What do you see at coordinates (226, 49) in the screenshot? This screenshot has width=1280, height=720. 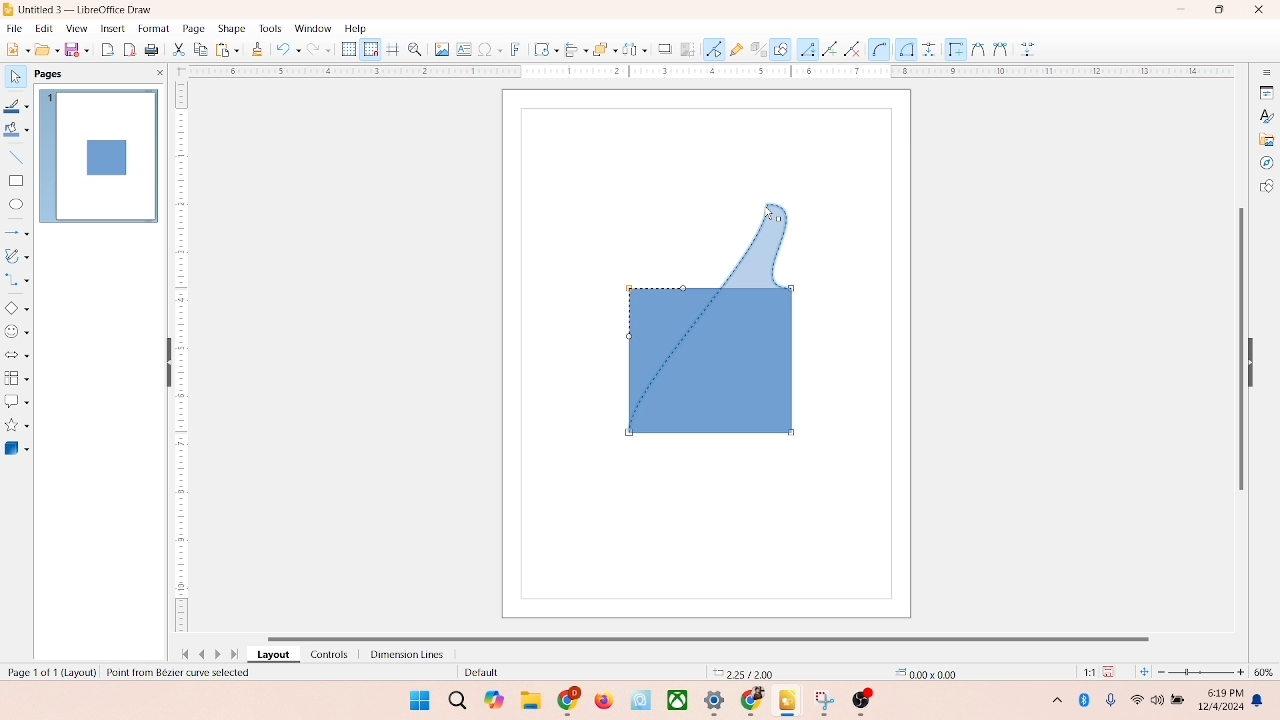 I see `print` at bounding box center [226, 49].